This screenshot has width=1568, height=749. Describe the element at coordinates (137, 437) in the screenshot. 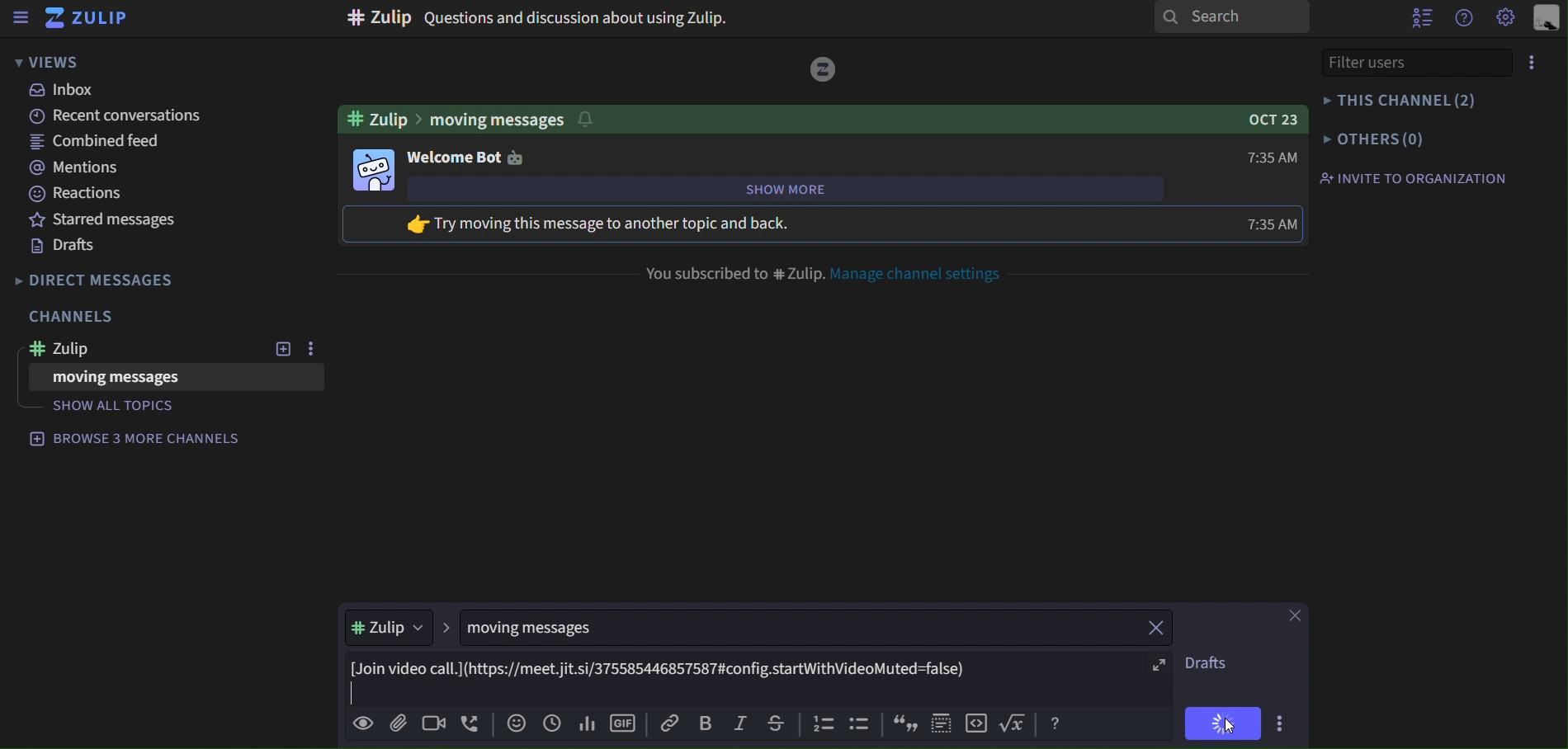

I see `browse 4 more channels` at that location.